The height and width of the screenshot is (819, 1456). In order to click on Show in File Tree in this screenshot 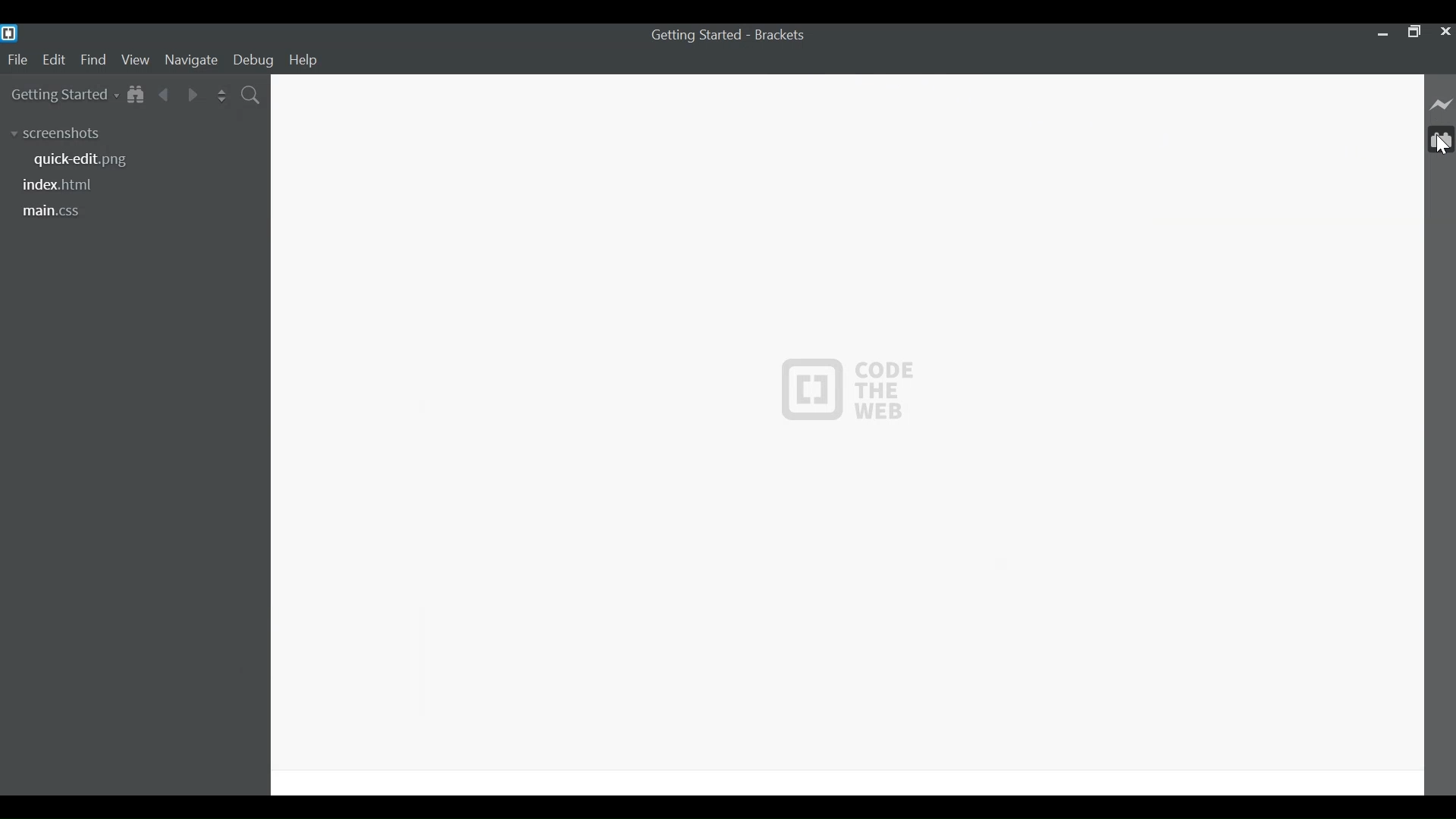, I will do `click(136, 93)`.